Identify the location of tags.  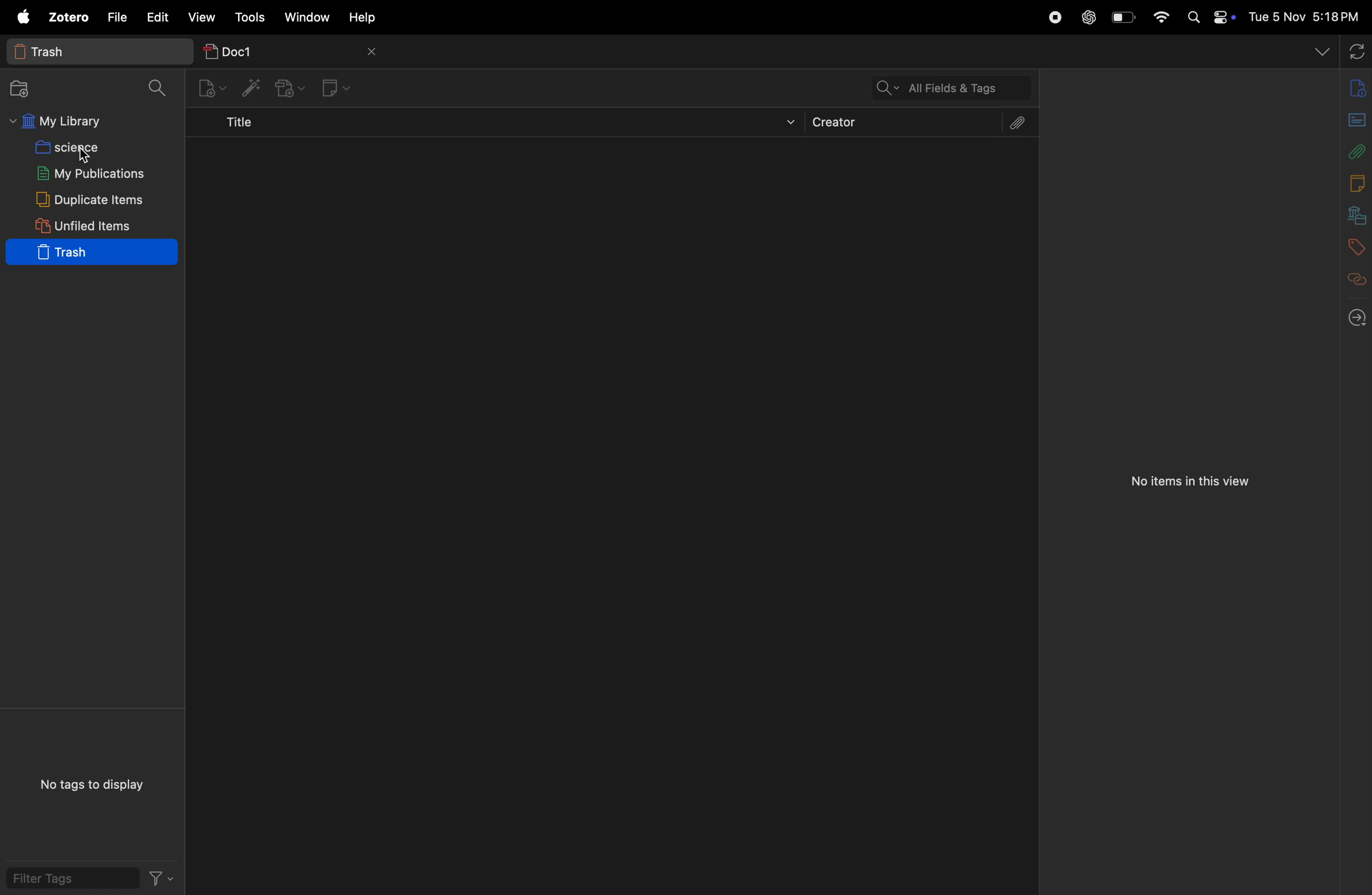
(1352, 243).